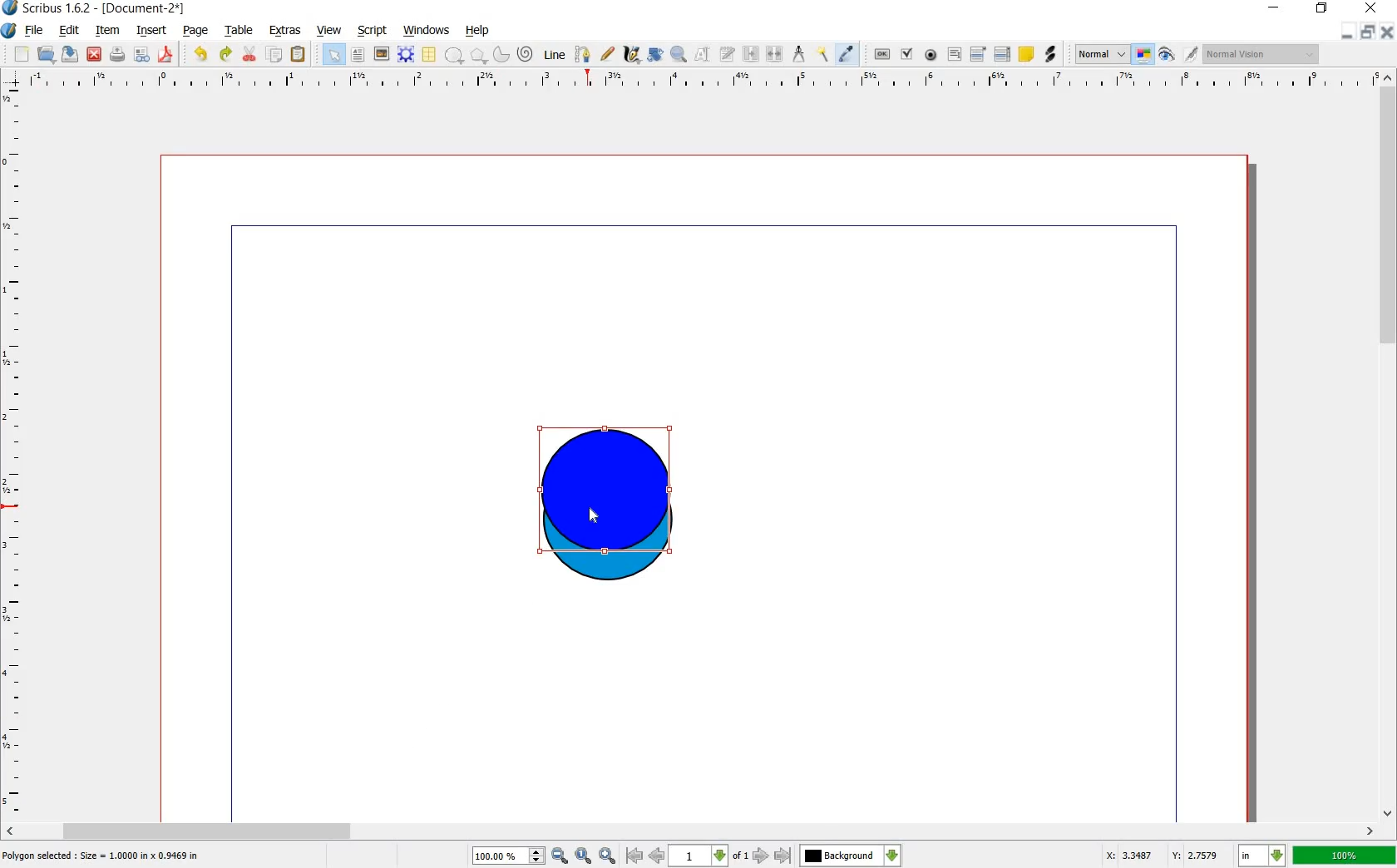 The width and height of the screenshot is (1397, 868). What do you see at coordinates (102, 855) in the screenshot?
I see `Polygon selected : size = 1.0000 in x 1.9469 in` at bounding box center [102, 855].